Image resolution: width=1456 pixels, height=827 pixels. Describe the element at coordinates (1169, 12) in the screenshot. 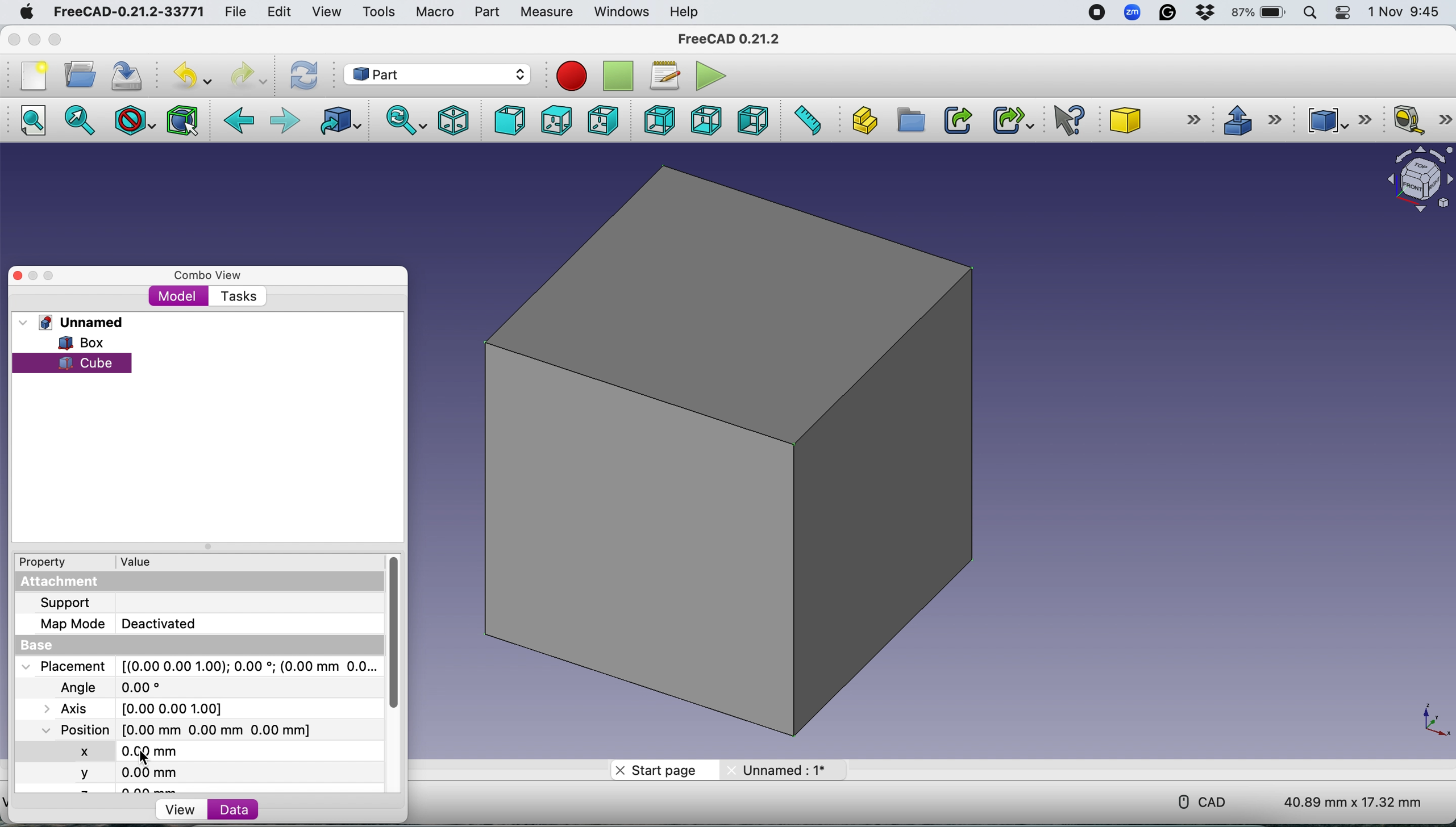

I see `Grammarly` at that location.